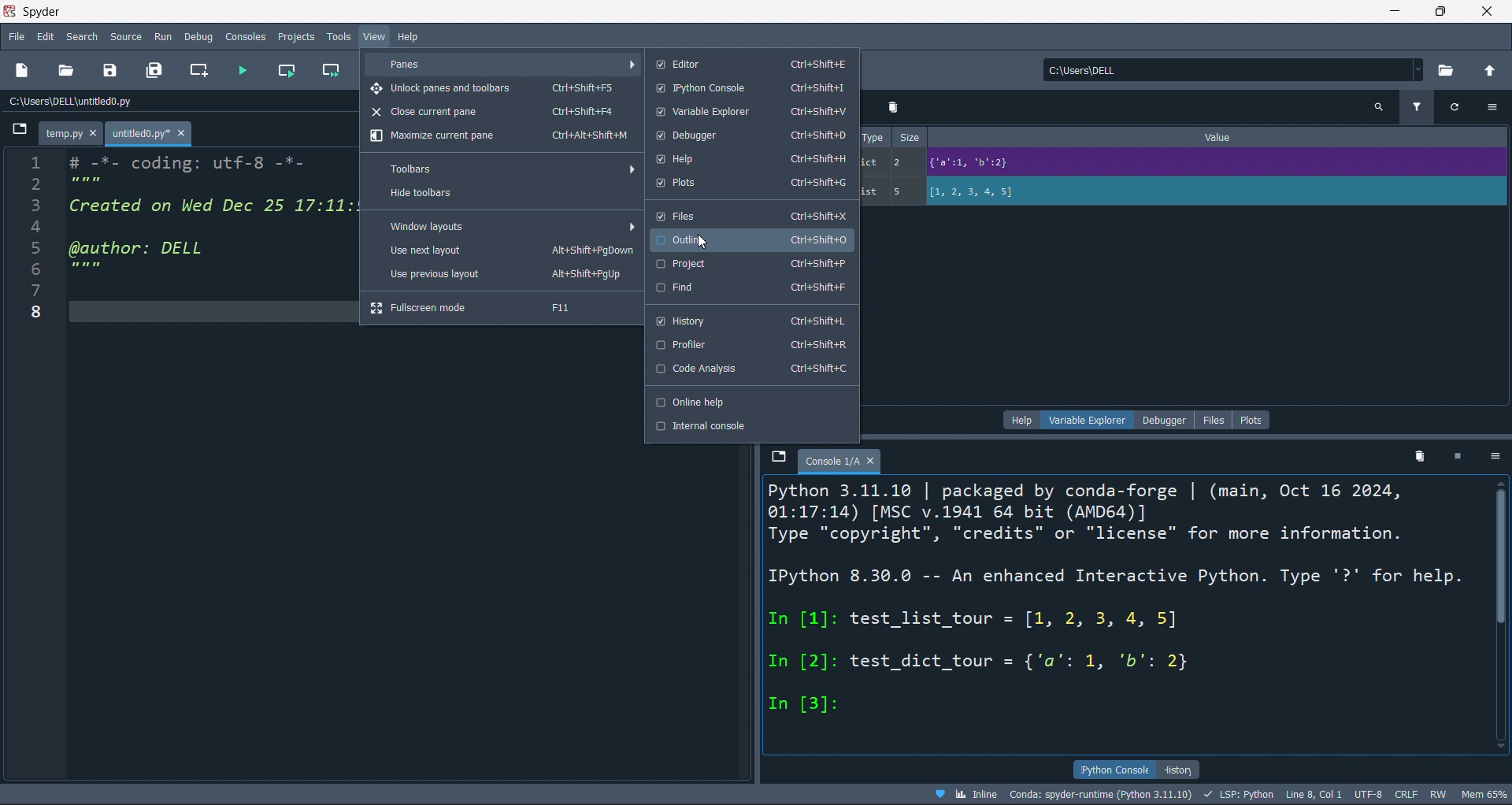 Image resolution: width=1512 pixels, height=805 pixels. I want to click on console 1/a tab, so click(844, 459).